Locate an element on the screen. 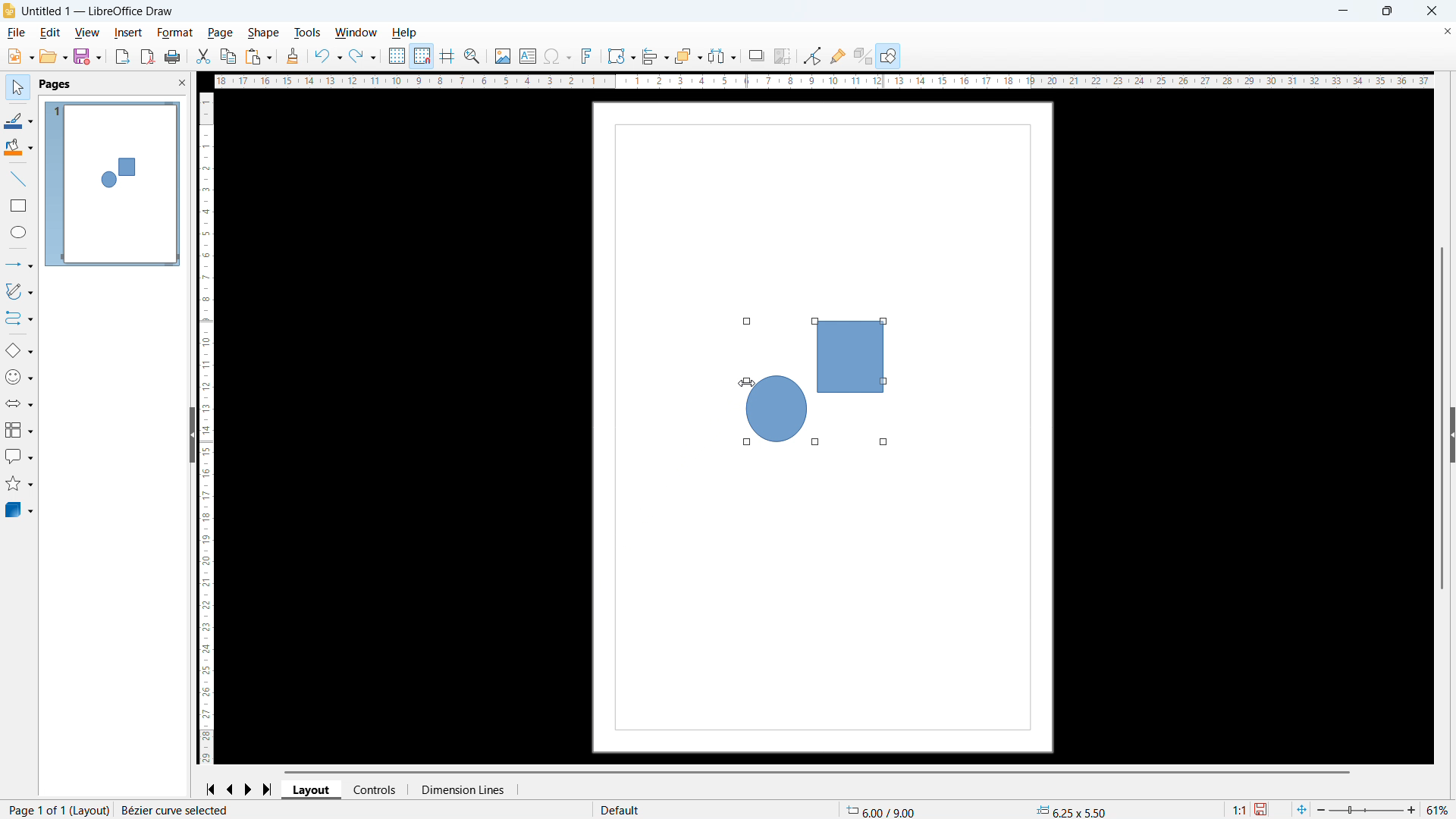 This screenshot has width=1456, height=819. Default page style  is located at coordinates (623, 811).